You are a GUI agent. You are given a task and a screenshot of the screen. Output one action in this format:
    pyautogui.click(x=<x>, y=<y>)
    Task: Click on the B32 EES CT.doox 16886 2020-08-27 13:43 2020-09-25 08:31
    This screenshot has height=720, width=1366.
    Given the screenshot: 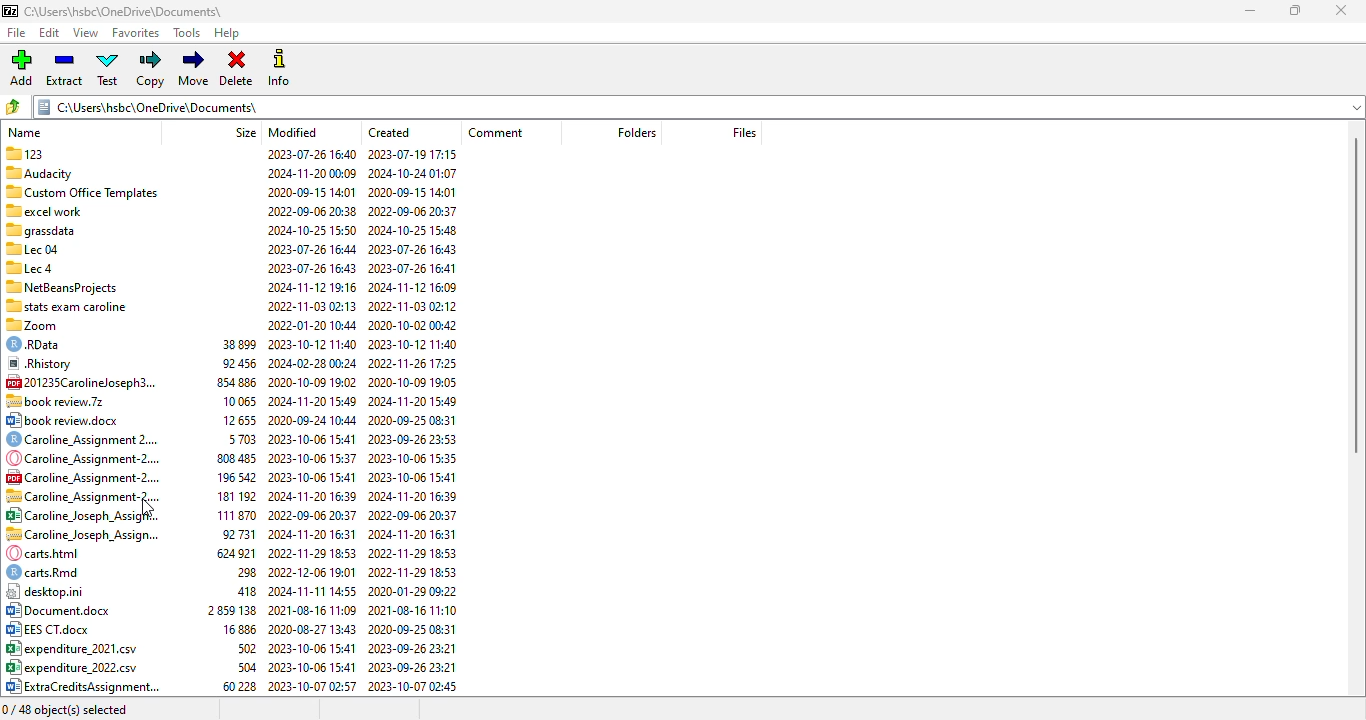 What is the action you would take?
    pyautogui.click(x=231, y=628)
    